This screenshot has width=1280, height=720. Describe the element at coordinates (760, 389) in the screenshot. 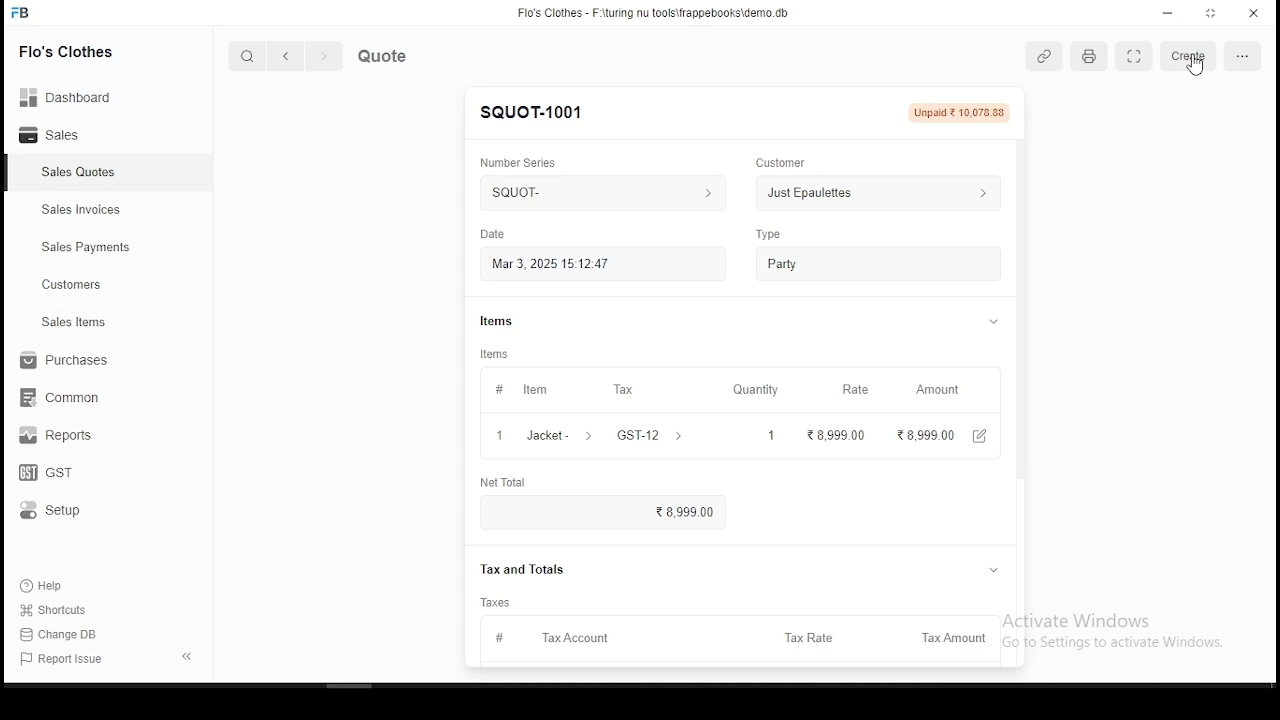

I see `quantity` at that location.